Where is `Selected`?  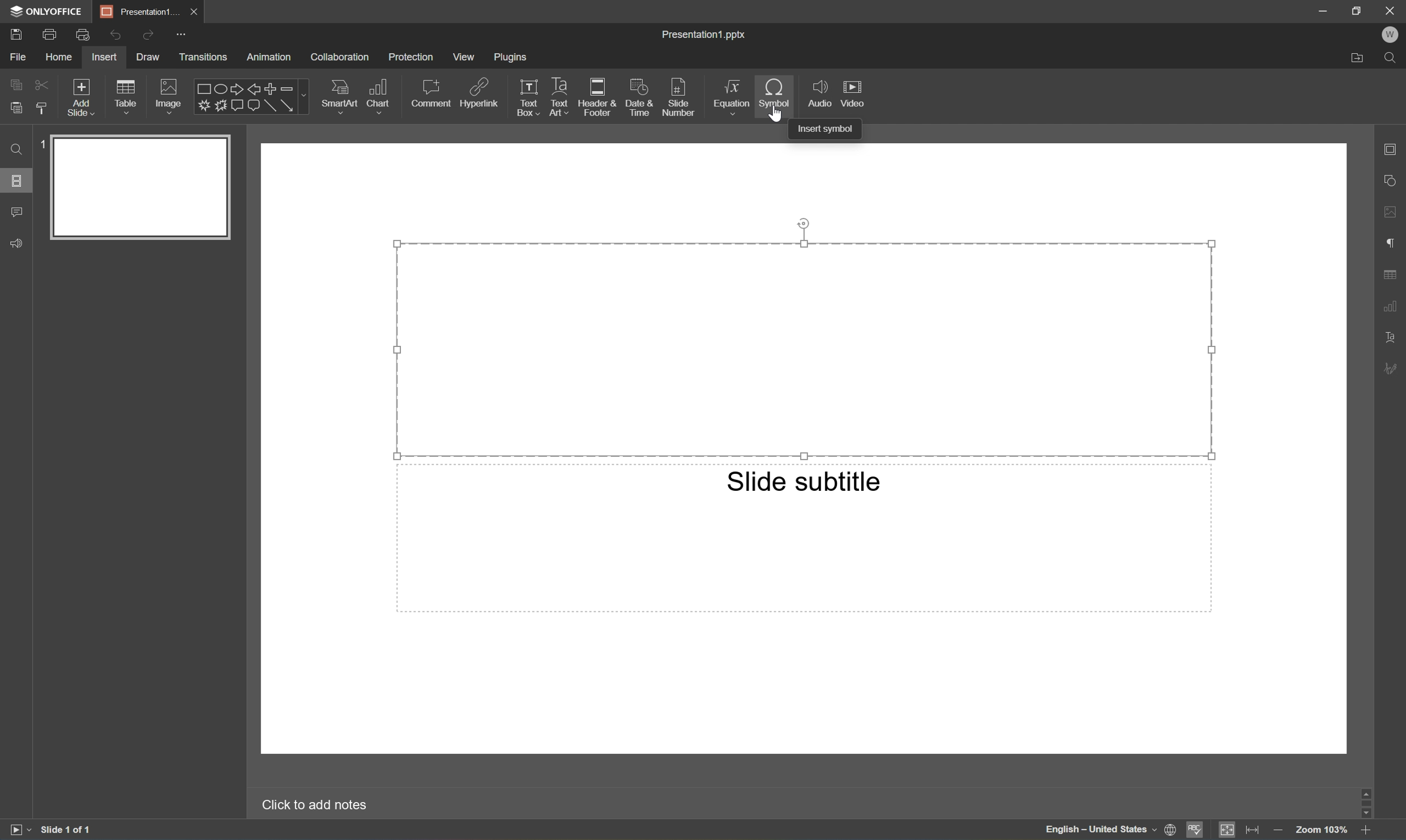
Selected is located at coordinates (804, 349).